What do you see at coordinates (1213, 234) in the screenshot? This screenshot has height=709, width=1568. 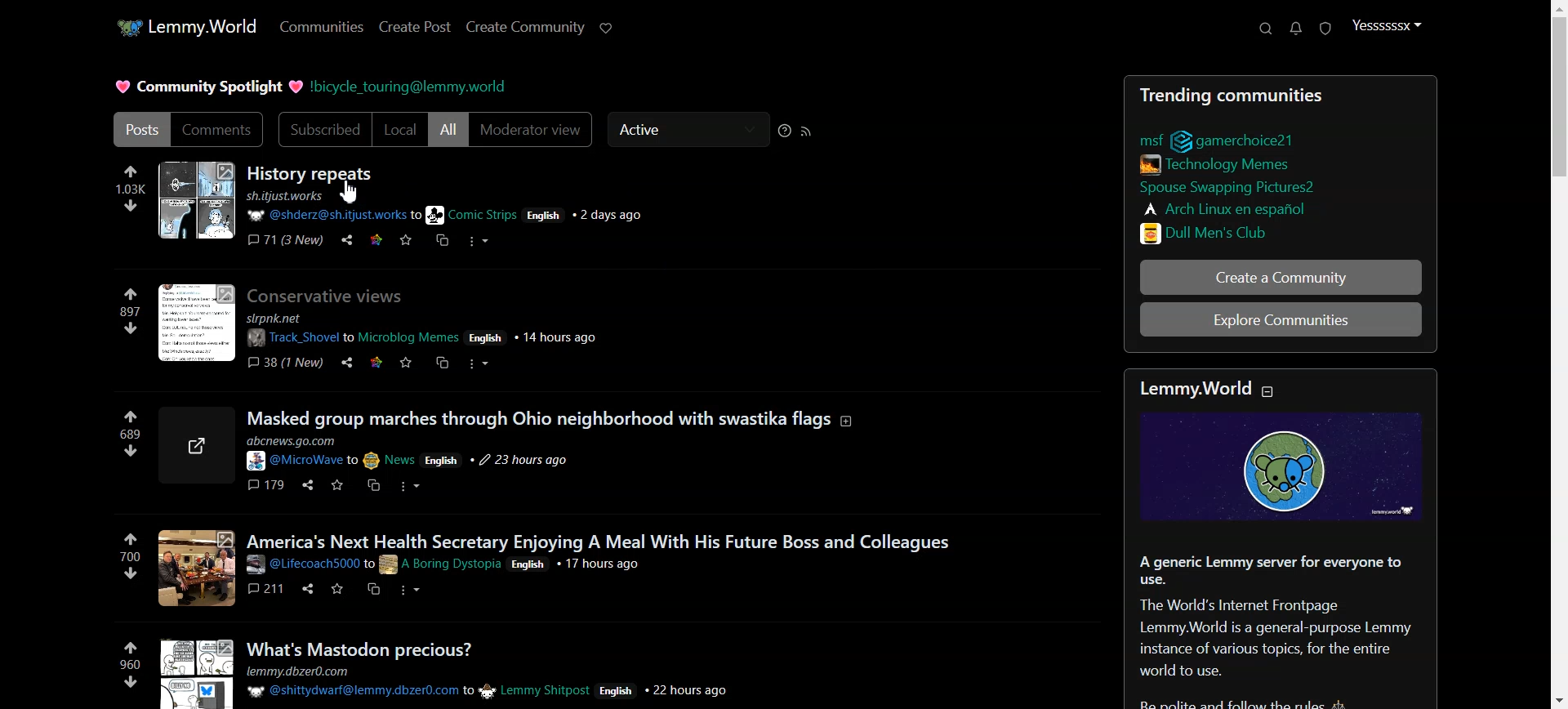 I see `Dull Men's Club` at bounding box center [1213, 234].